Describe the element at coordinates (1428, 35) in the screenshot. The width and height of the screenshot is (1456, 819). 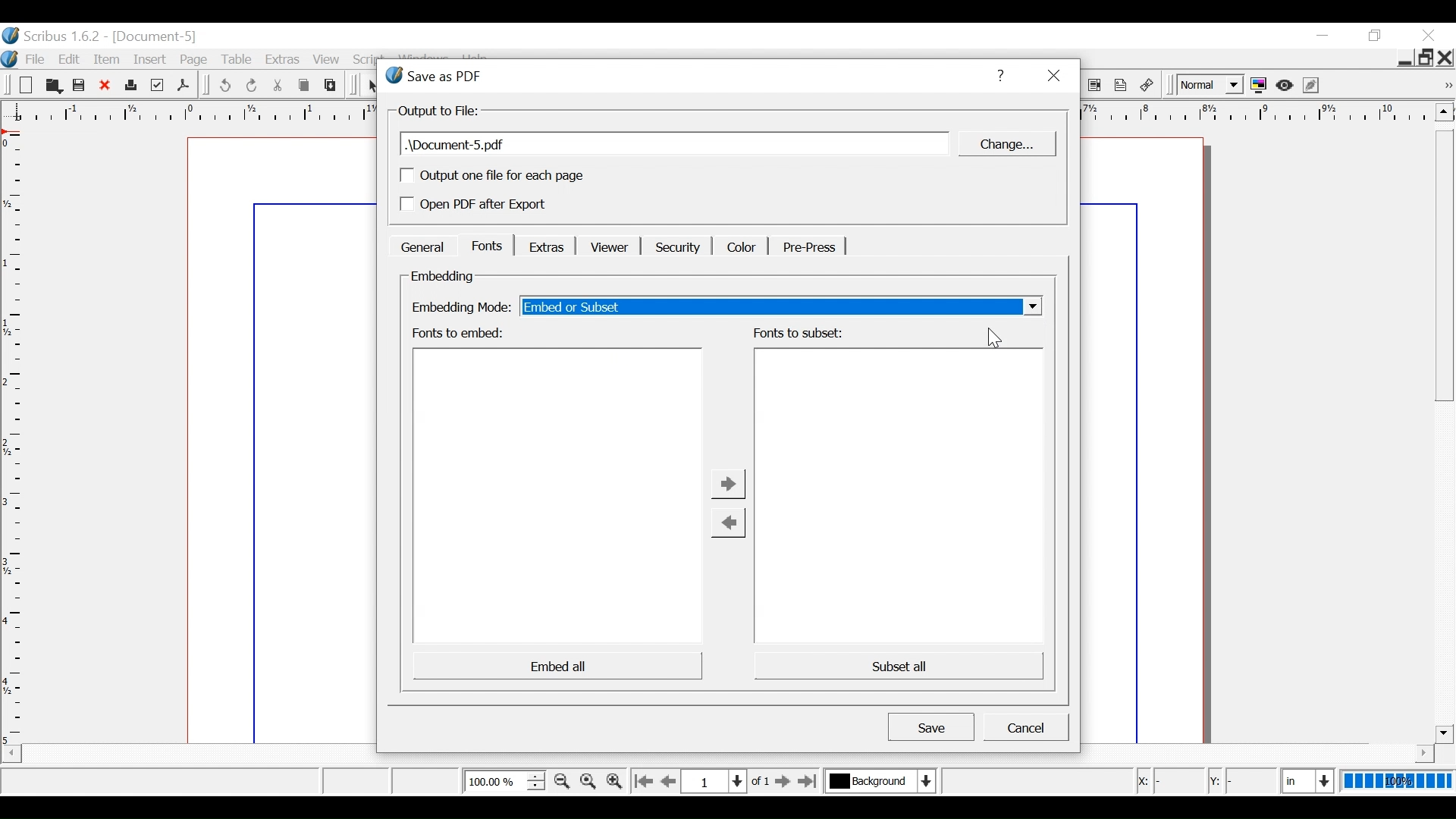
I see `Close` at that location.